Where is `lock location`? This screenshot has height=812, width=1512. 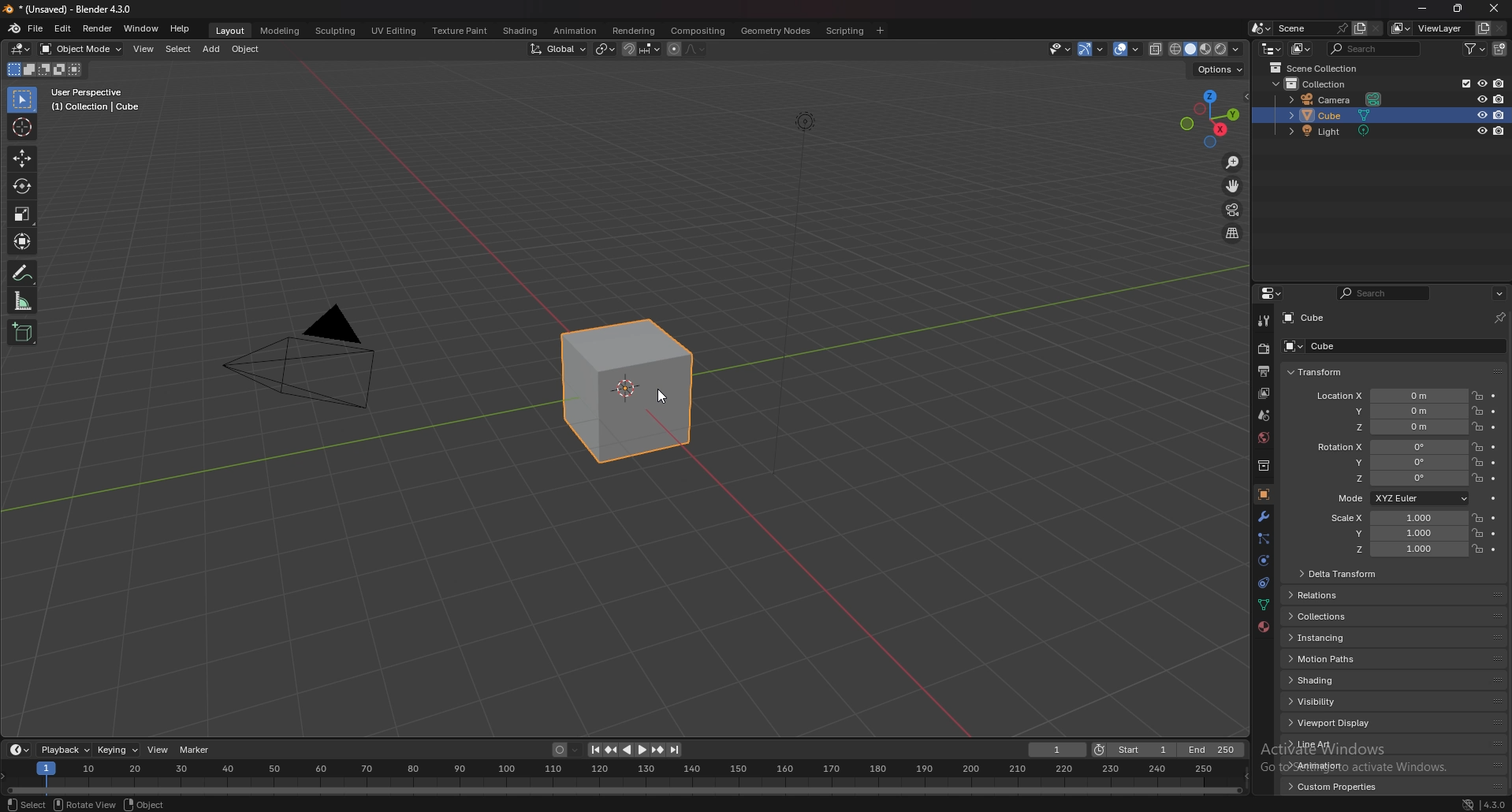
lock location is located at coordinates (1478, 478).